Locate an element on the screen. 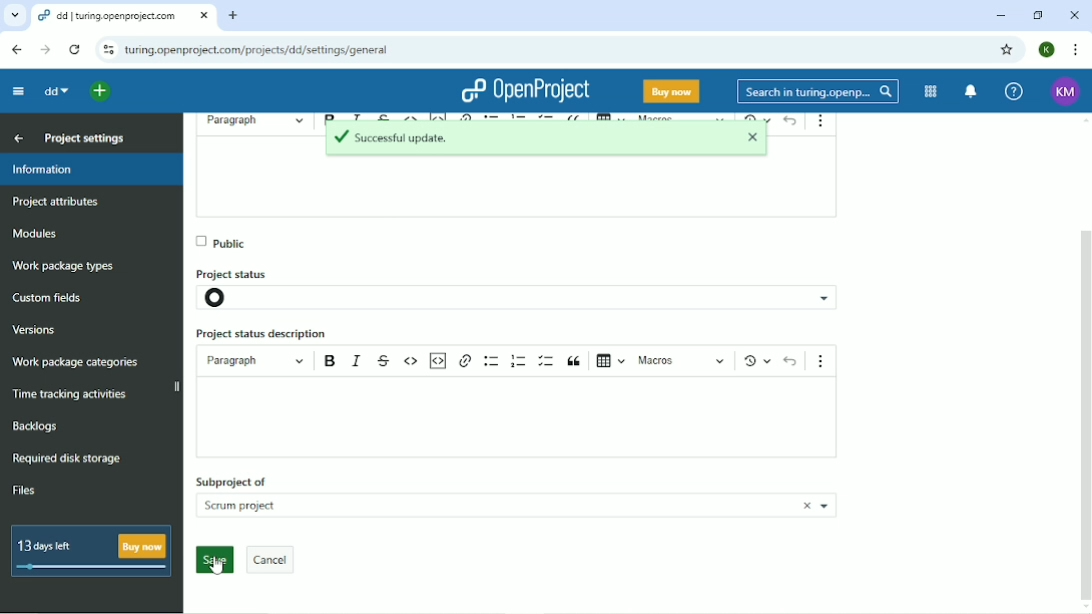 This screenshot has height=614, width=1092. italics is located at coordinates (357, 362).